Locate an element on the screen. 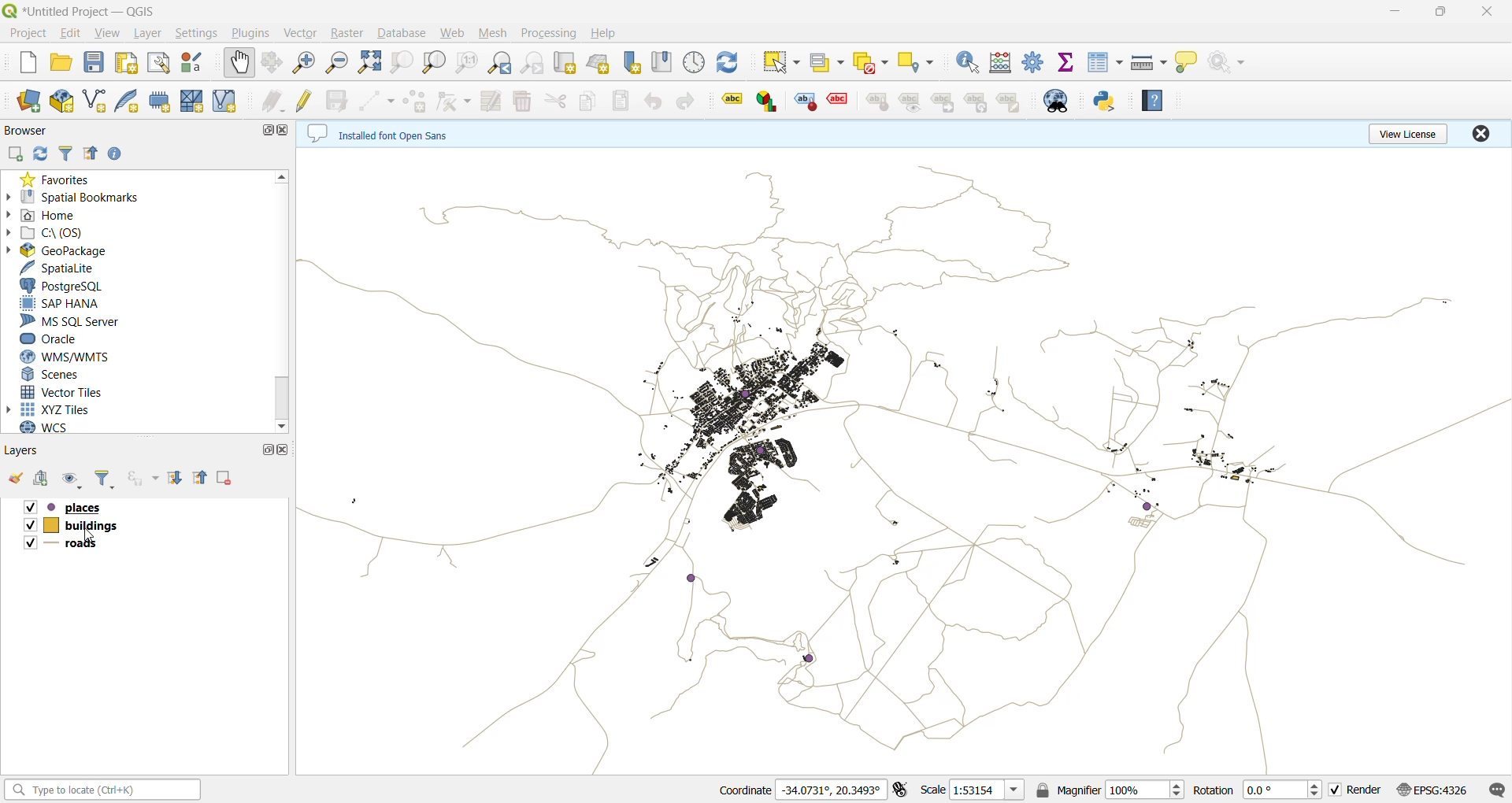 The width and height of the screenshot is (1512, 803). print layout is located at coordinates (126, 65).